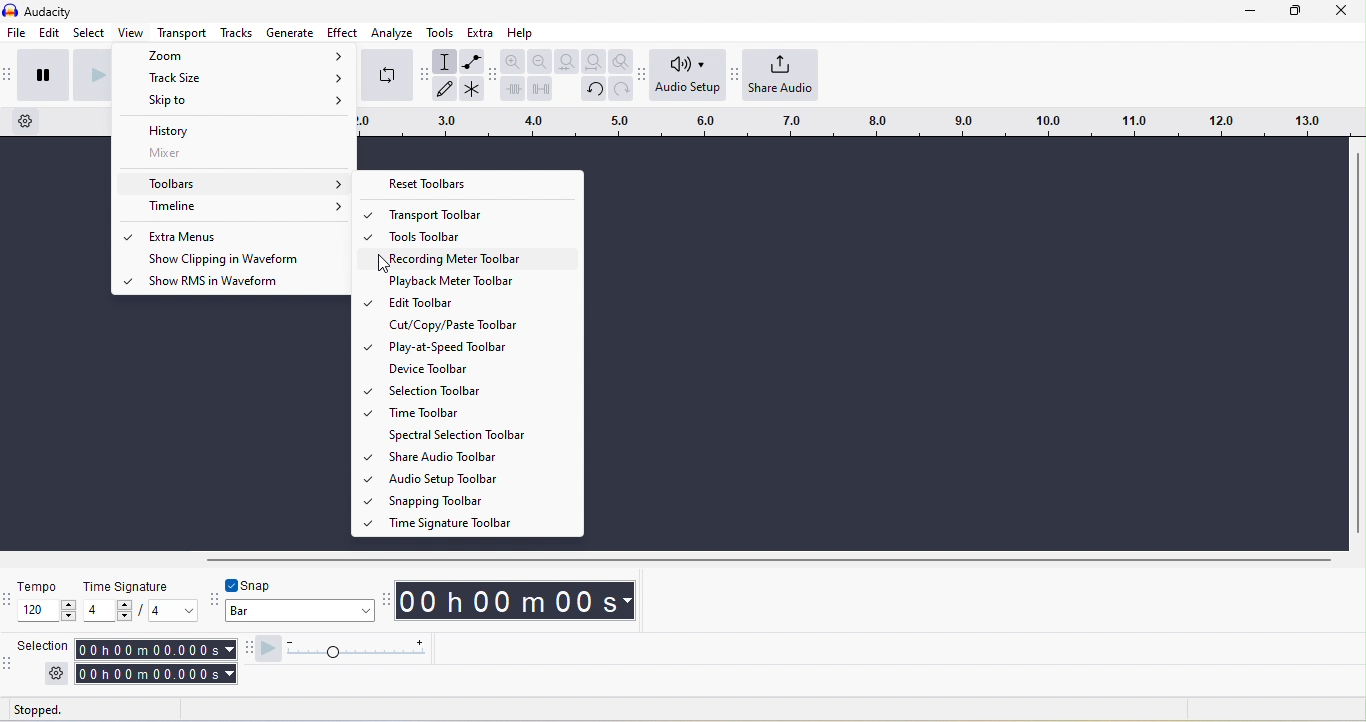 The image size is (1366, 722). Describe the element at coordinates (478, 412) in the screenshot. I see `Time toolbar` at that location.